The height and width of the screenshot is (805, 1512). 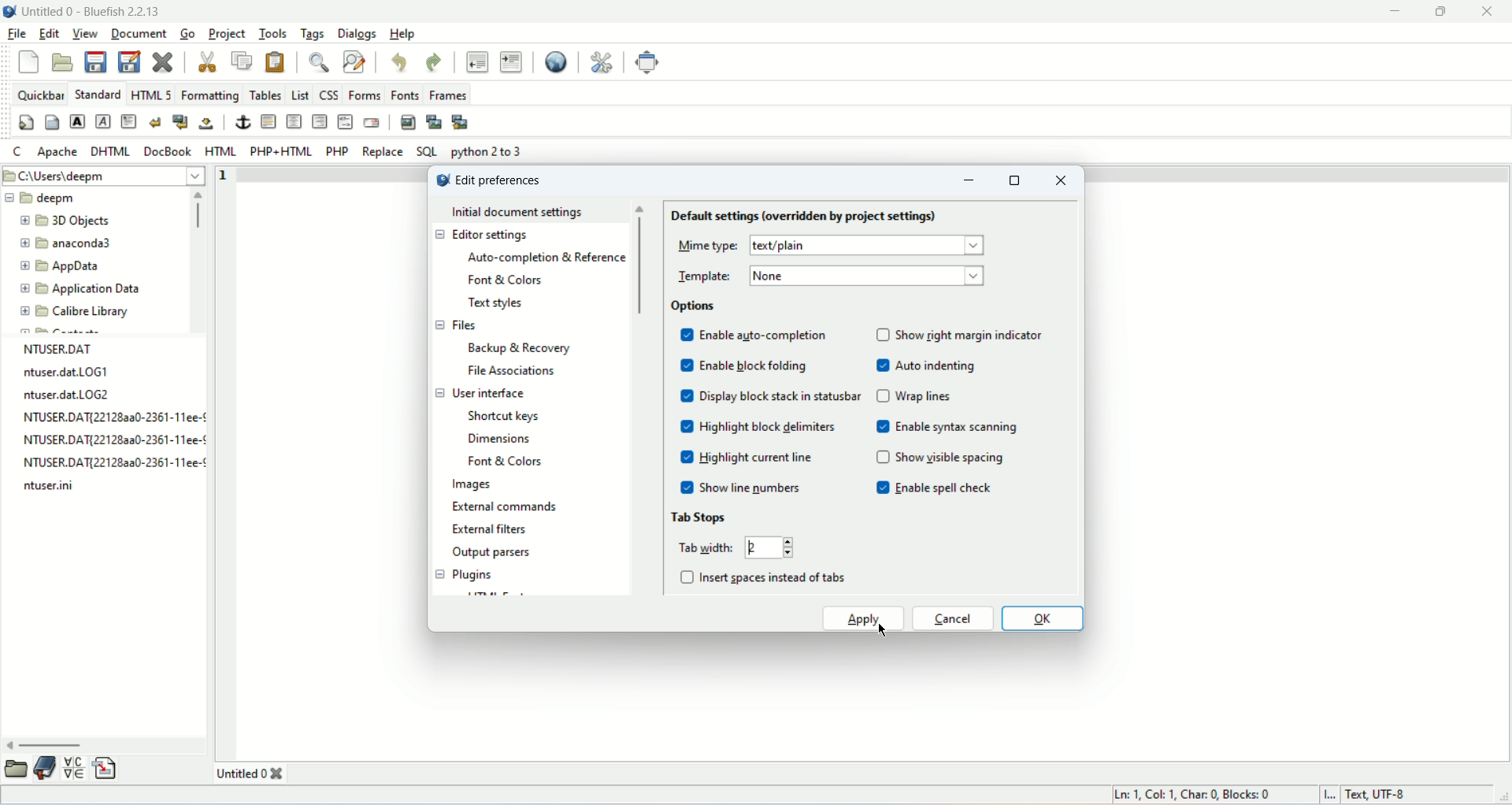 I want to click on insert thumbnail, so click(x=432, y=121).